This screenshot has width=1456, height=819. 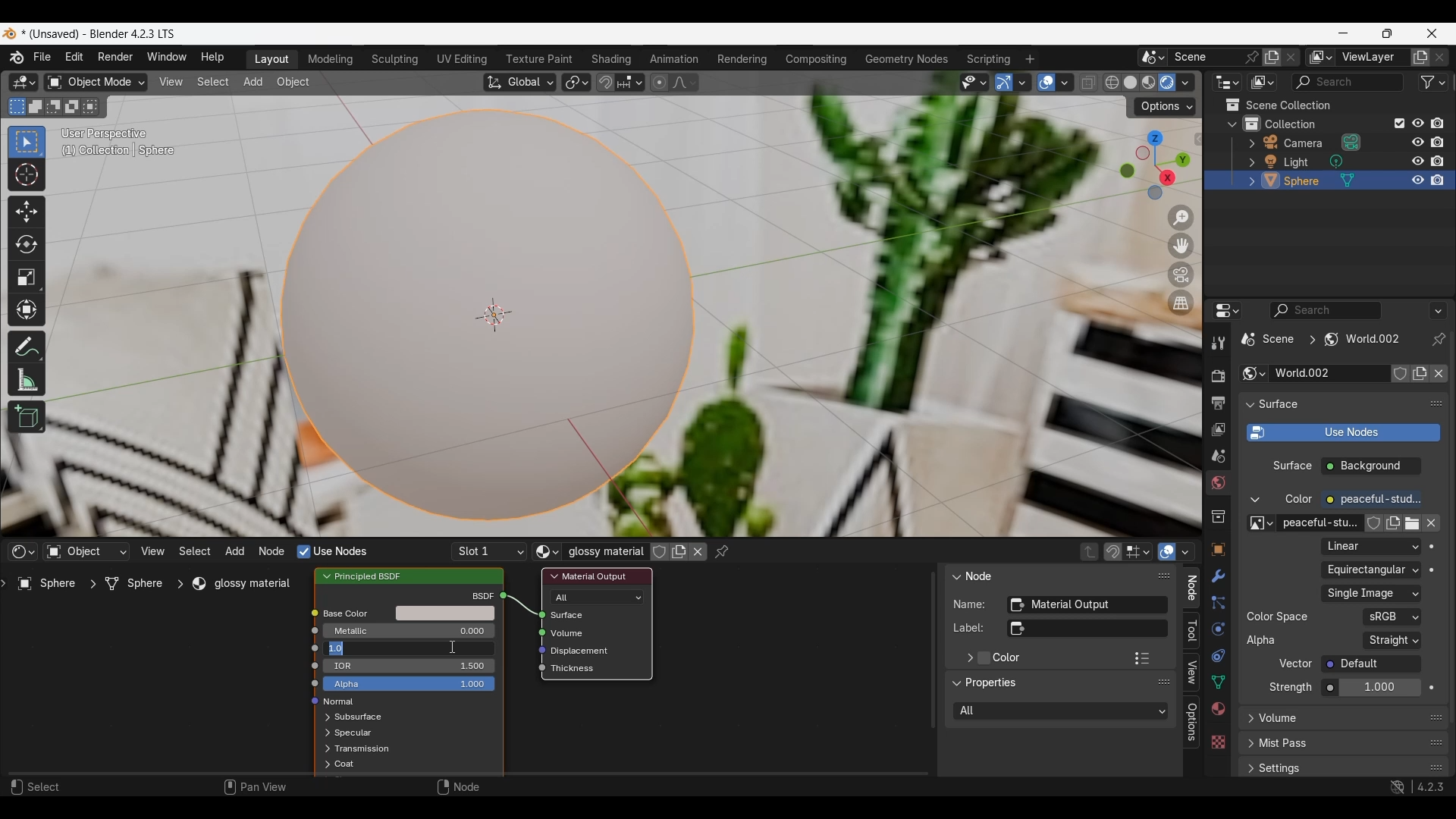 I want to click on IOR in base, so click(x=413, y=665).